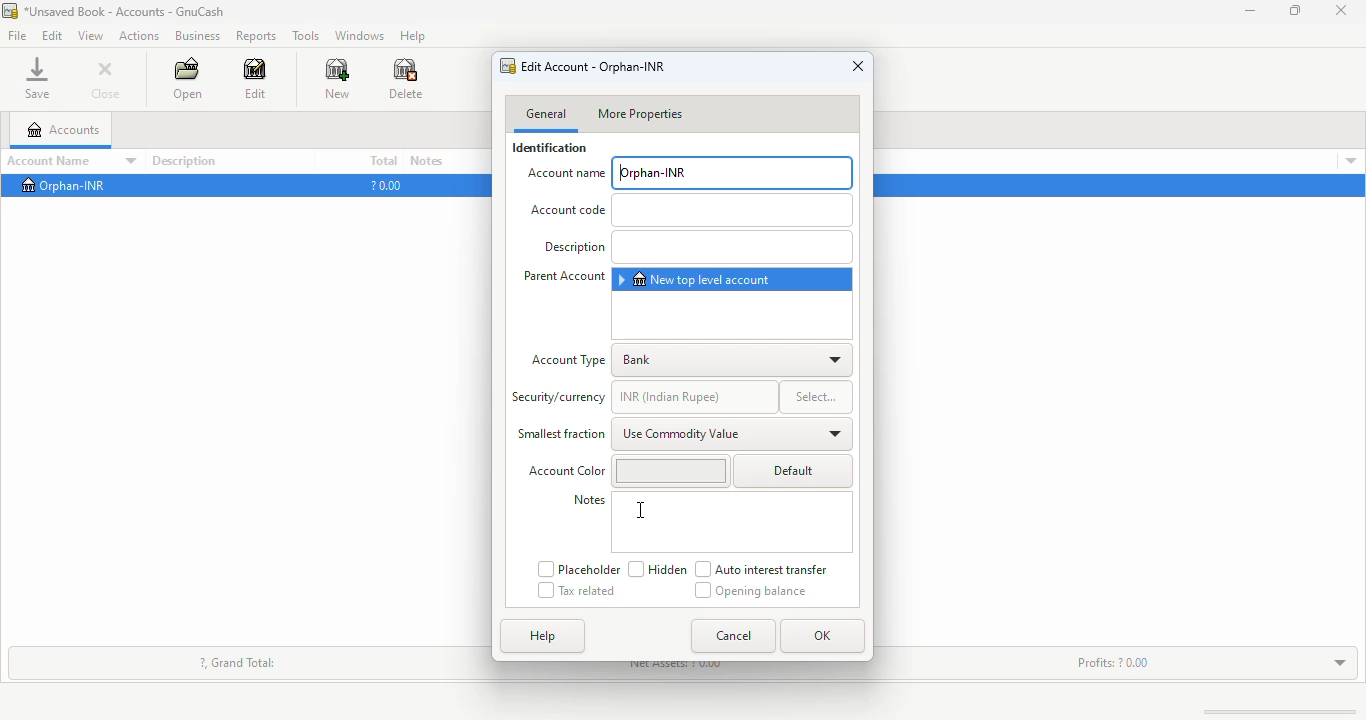 The height and width of the screenshot is (720, 1366). What do you see at coordinates (542, 636) in the screenshot?
I see `help` at bounding box center [542, 636].